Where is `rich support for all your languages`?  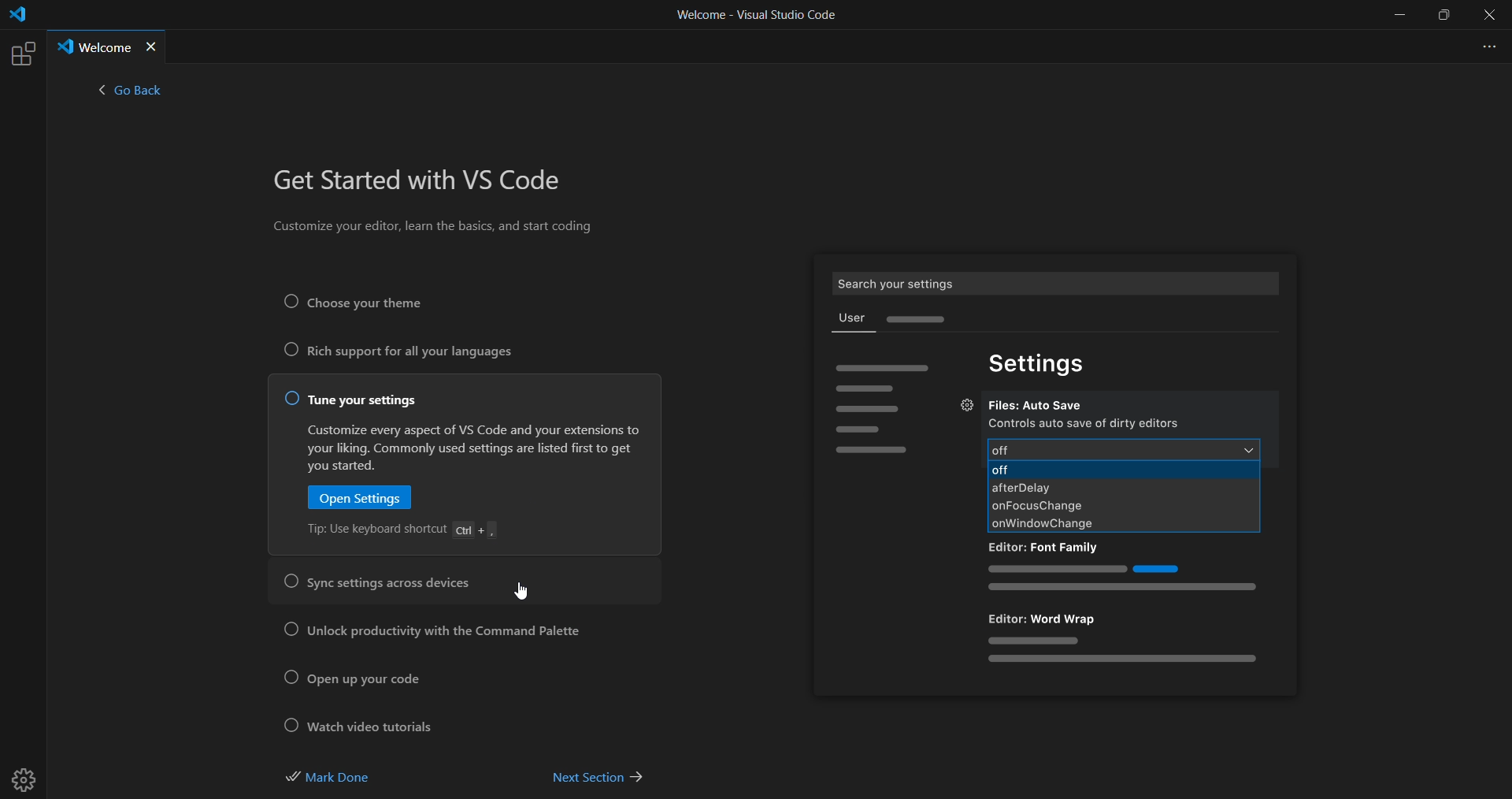
rich support for all your languages is located at coordinates (397, 353).